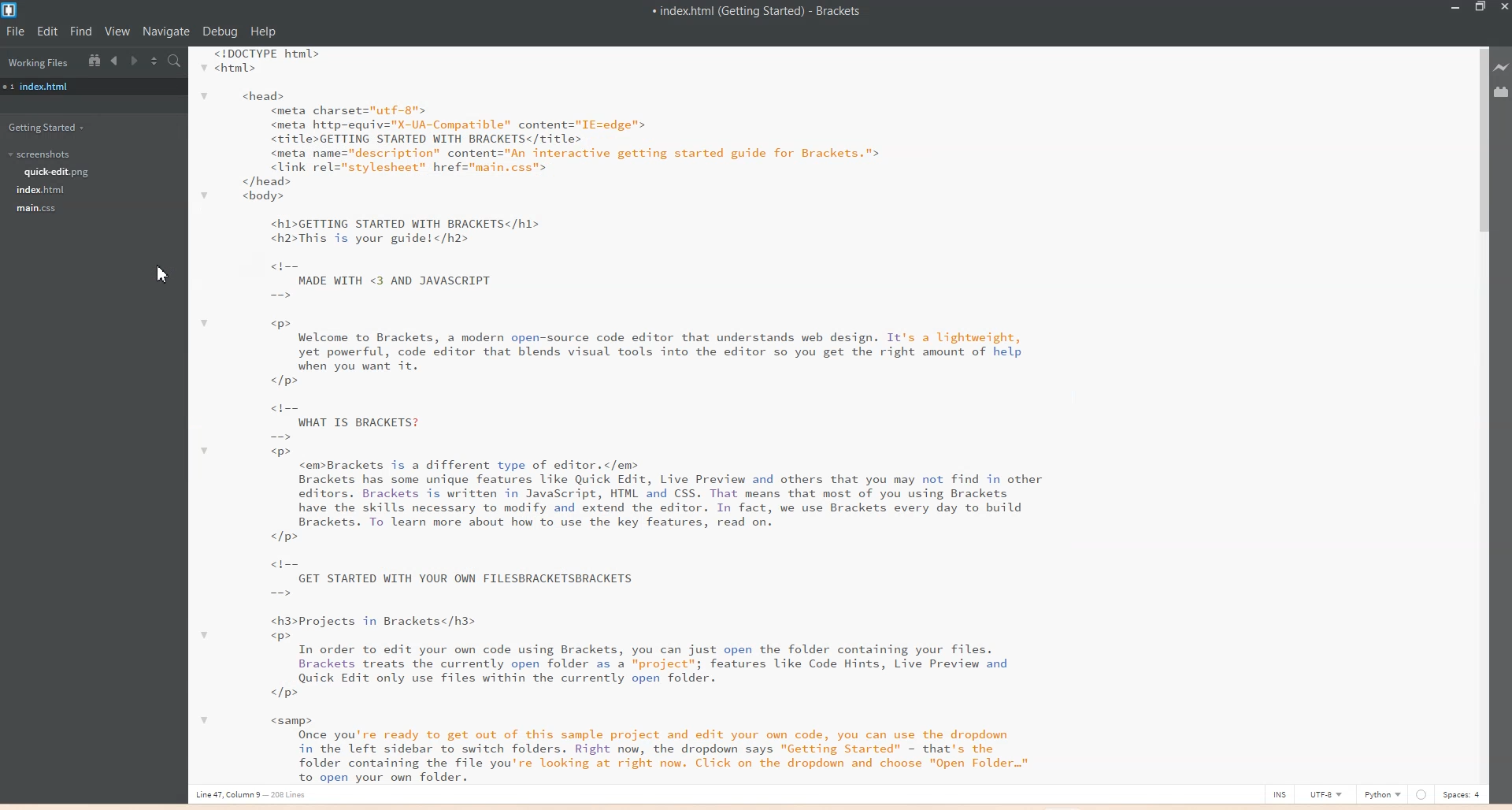  Describe the element at coordinates (648, 414) in the screenshot. I see `Text` at that location.